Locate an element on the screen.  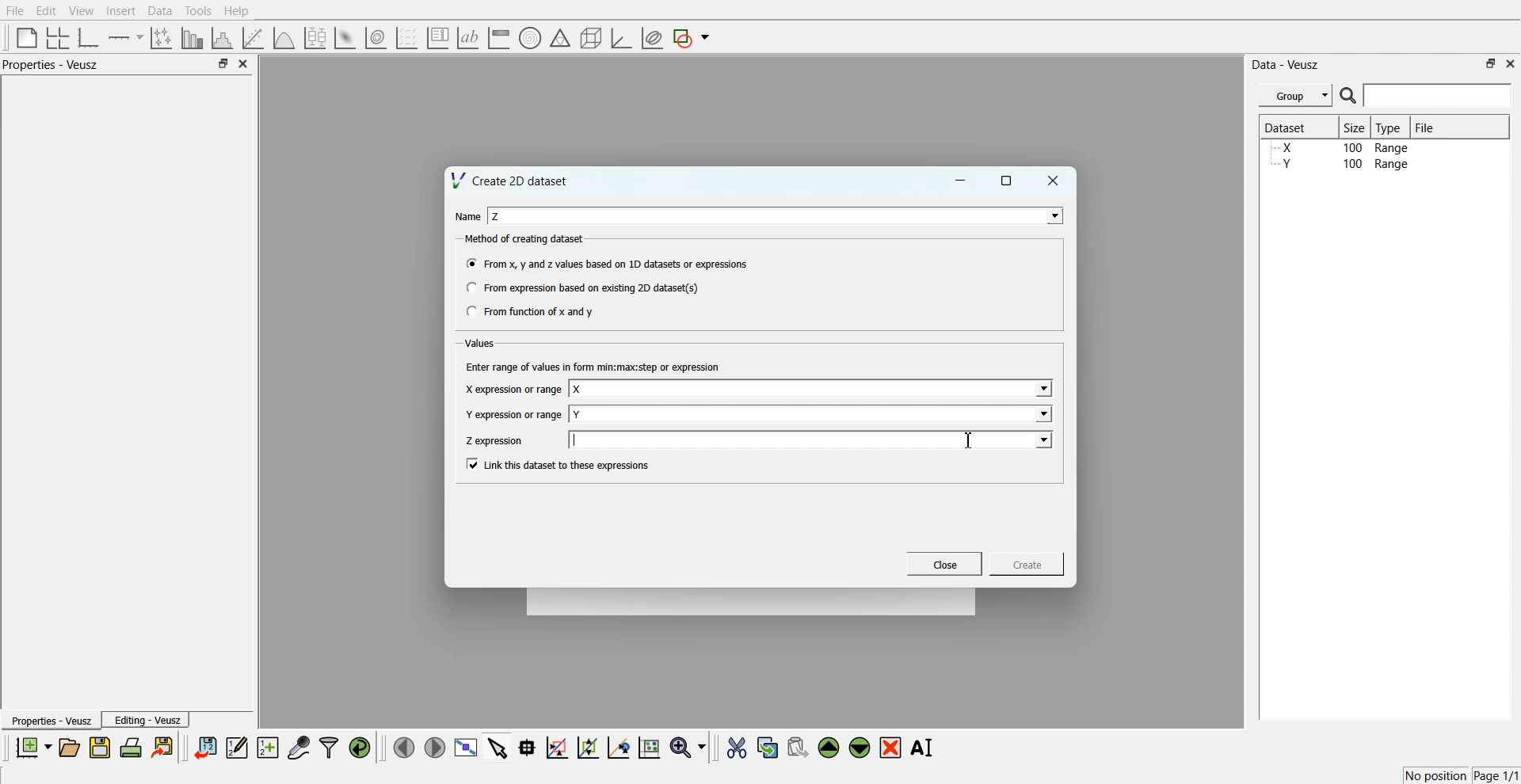
Copy the selected widget is located at coordinates (768, 747).